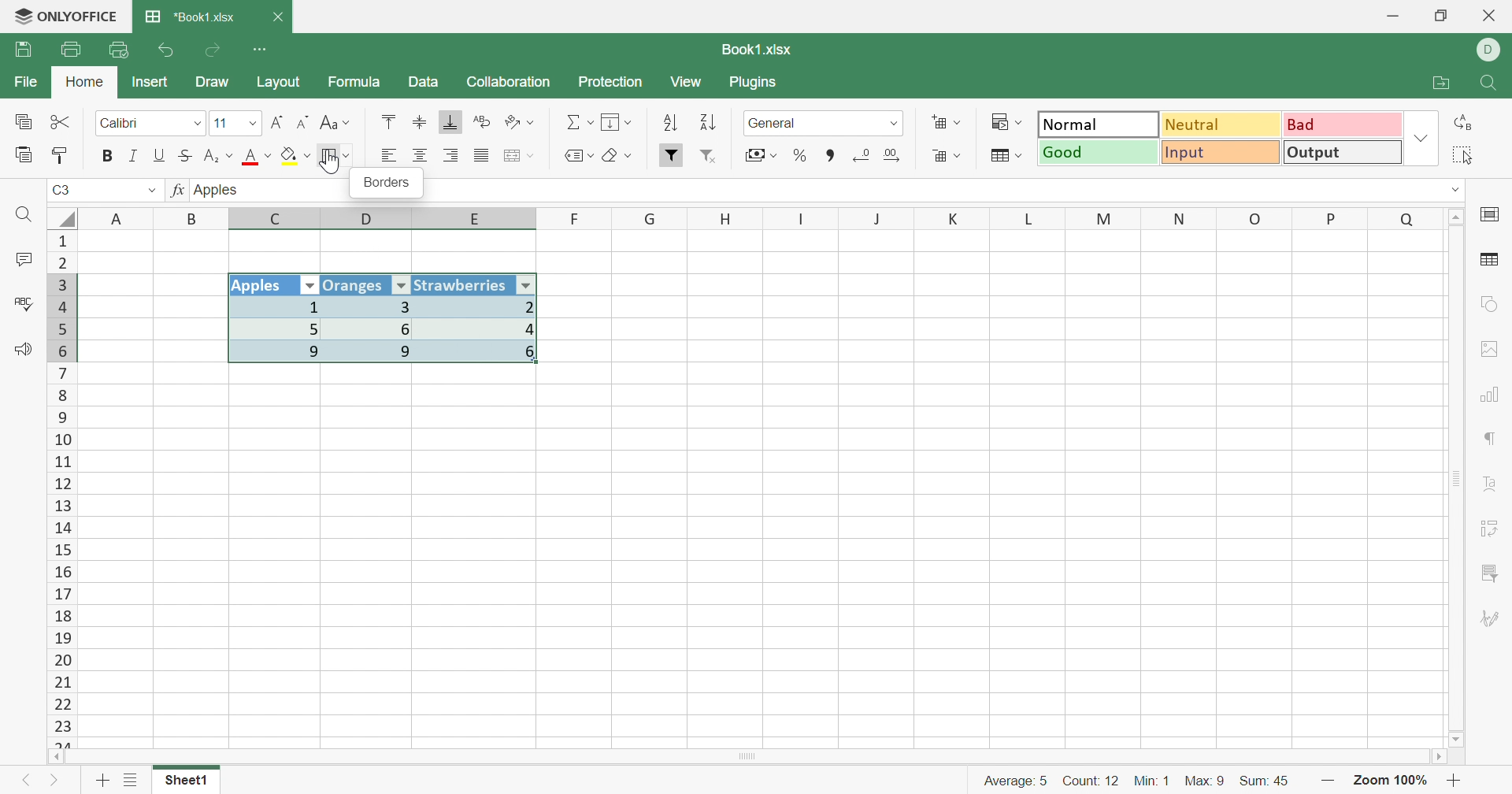 The image size is (1512, 794). Describe the element at coordinates (61, 121) in the screenshot. I see `Cut` at that location.